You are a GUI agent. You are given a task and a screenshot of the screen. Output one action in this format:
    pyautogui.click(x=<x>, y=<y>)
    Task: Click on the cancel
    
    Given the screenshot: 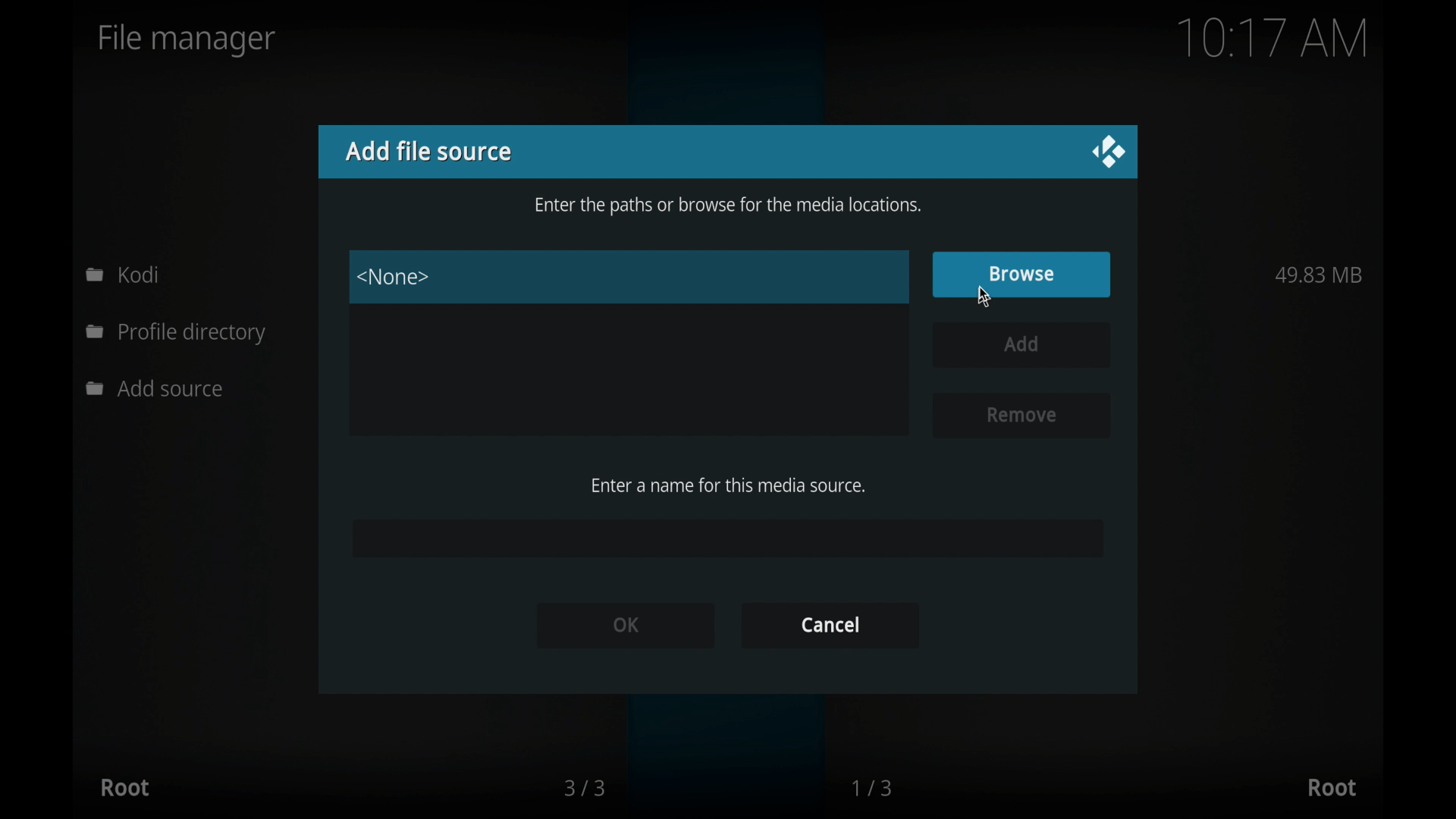 What is the action you would take?
    pyautogui.click(x=832, y=626)
    